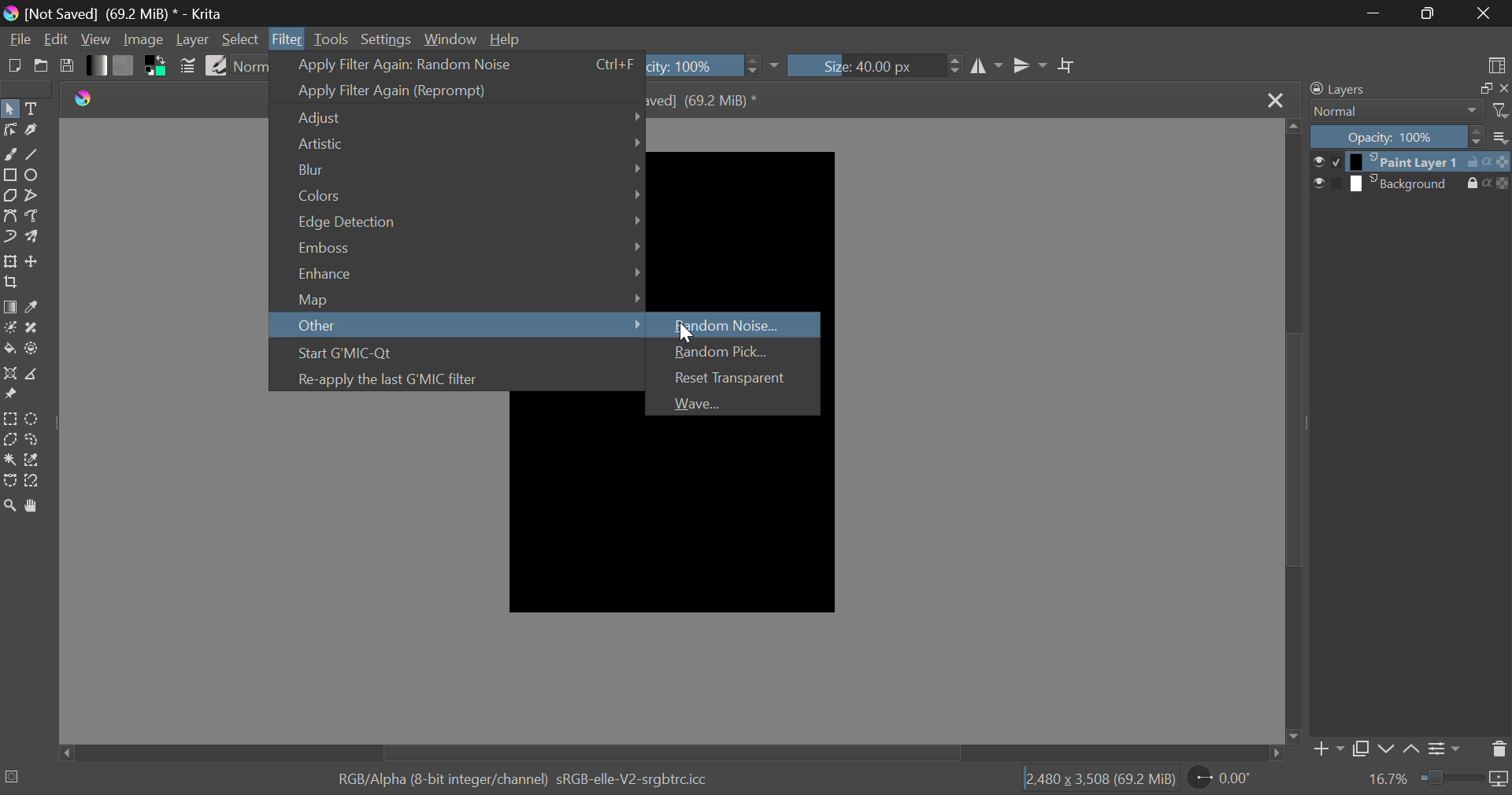  Describe the element at coordinates (33, 348) in the screenshot. I see `Fill and Enclose` at that location.